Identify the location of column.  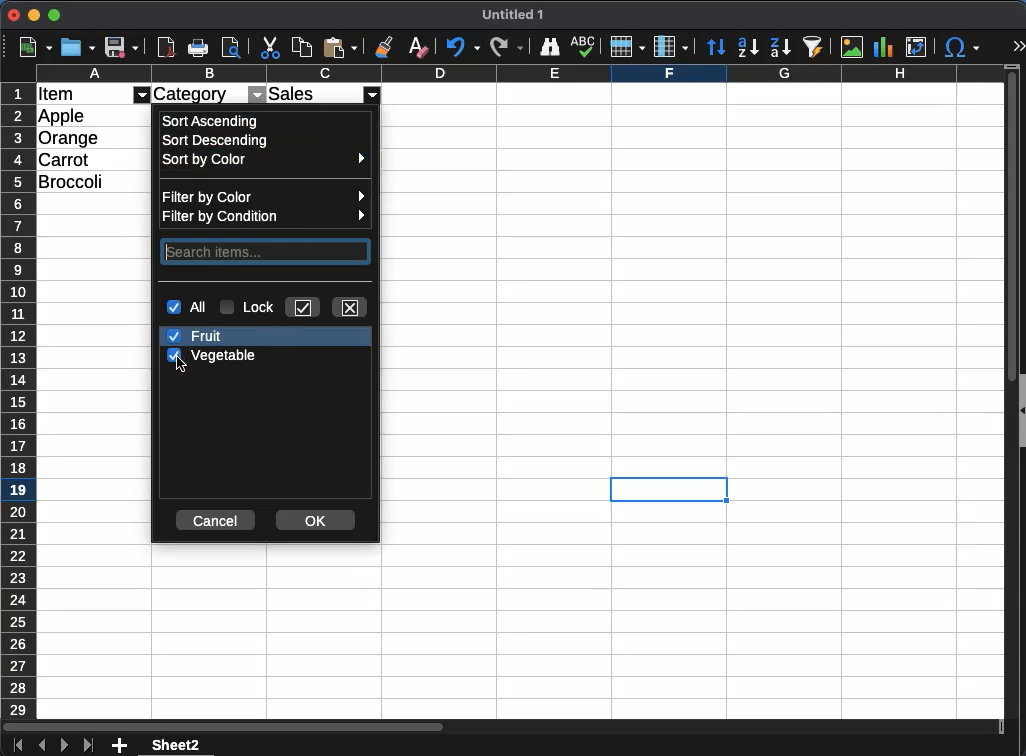
(670, 47).